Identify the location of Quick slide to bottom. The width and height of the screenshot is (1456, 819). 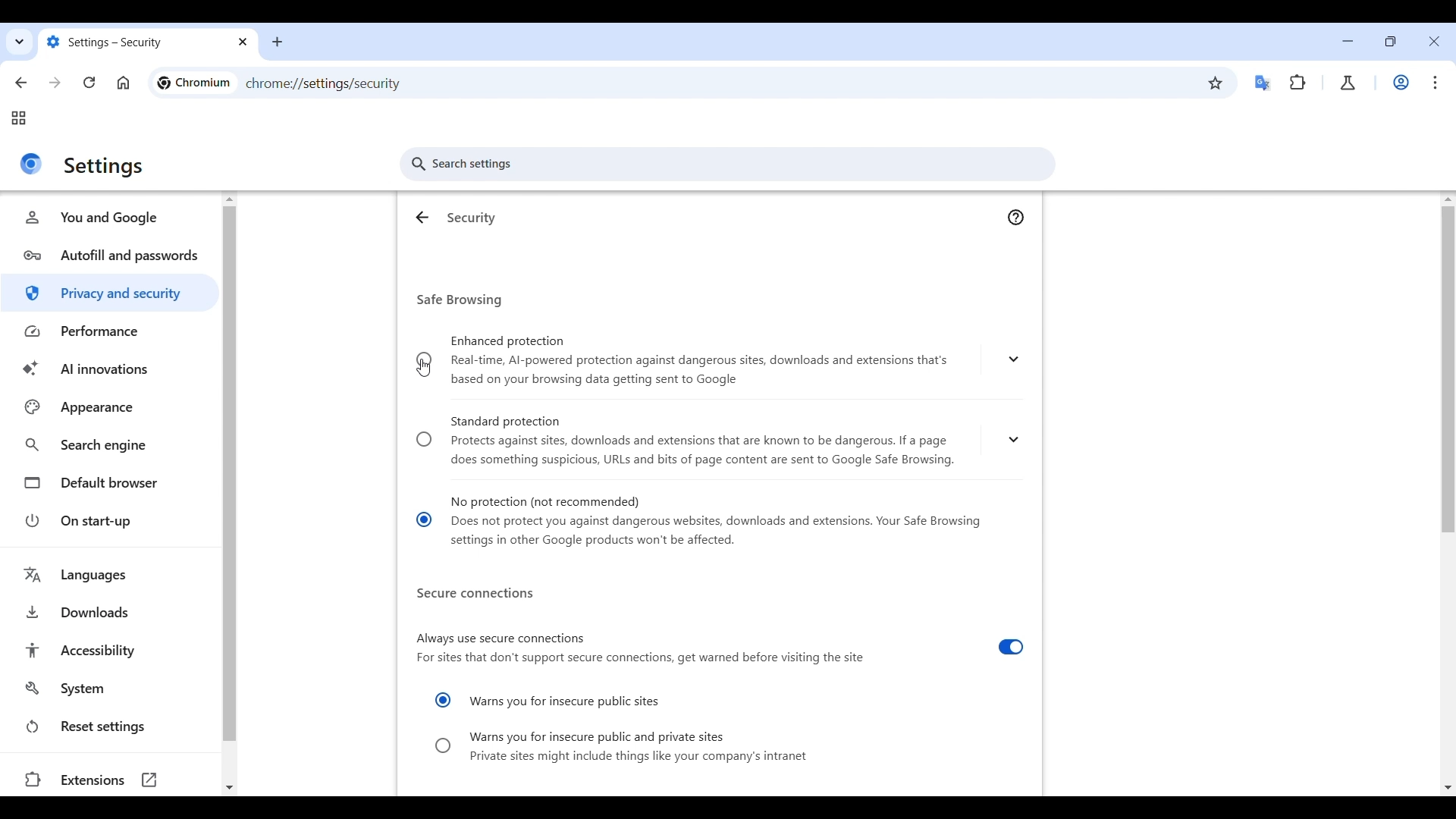
(228, 789).